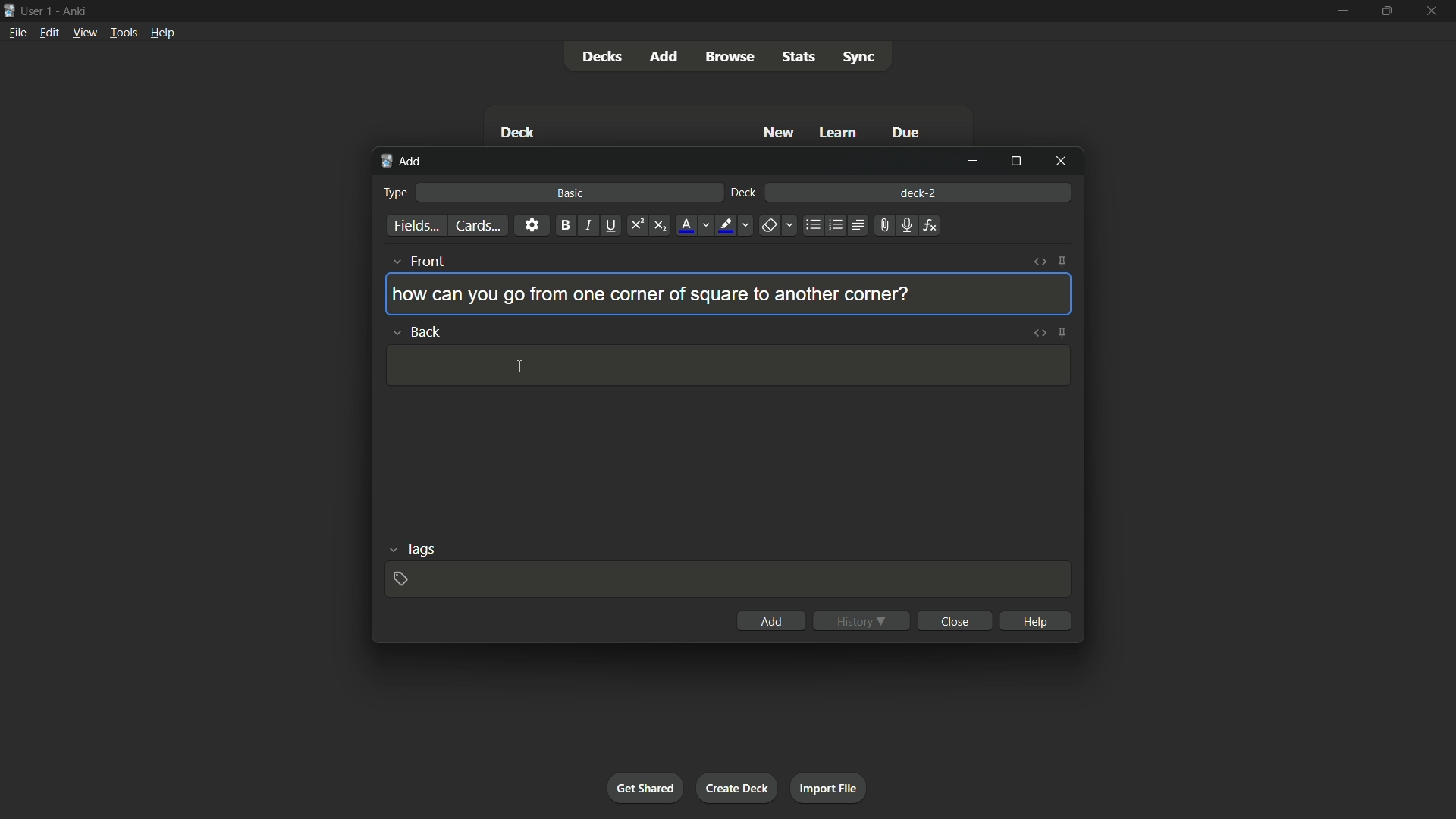  What do you see at coordinates (840, 133) in the screenshot?
I see `learn` at bounding box center [840, 133].